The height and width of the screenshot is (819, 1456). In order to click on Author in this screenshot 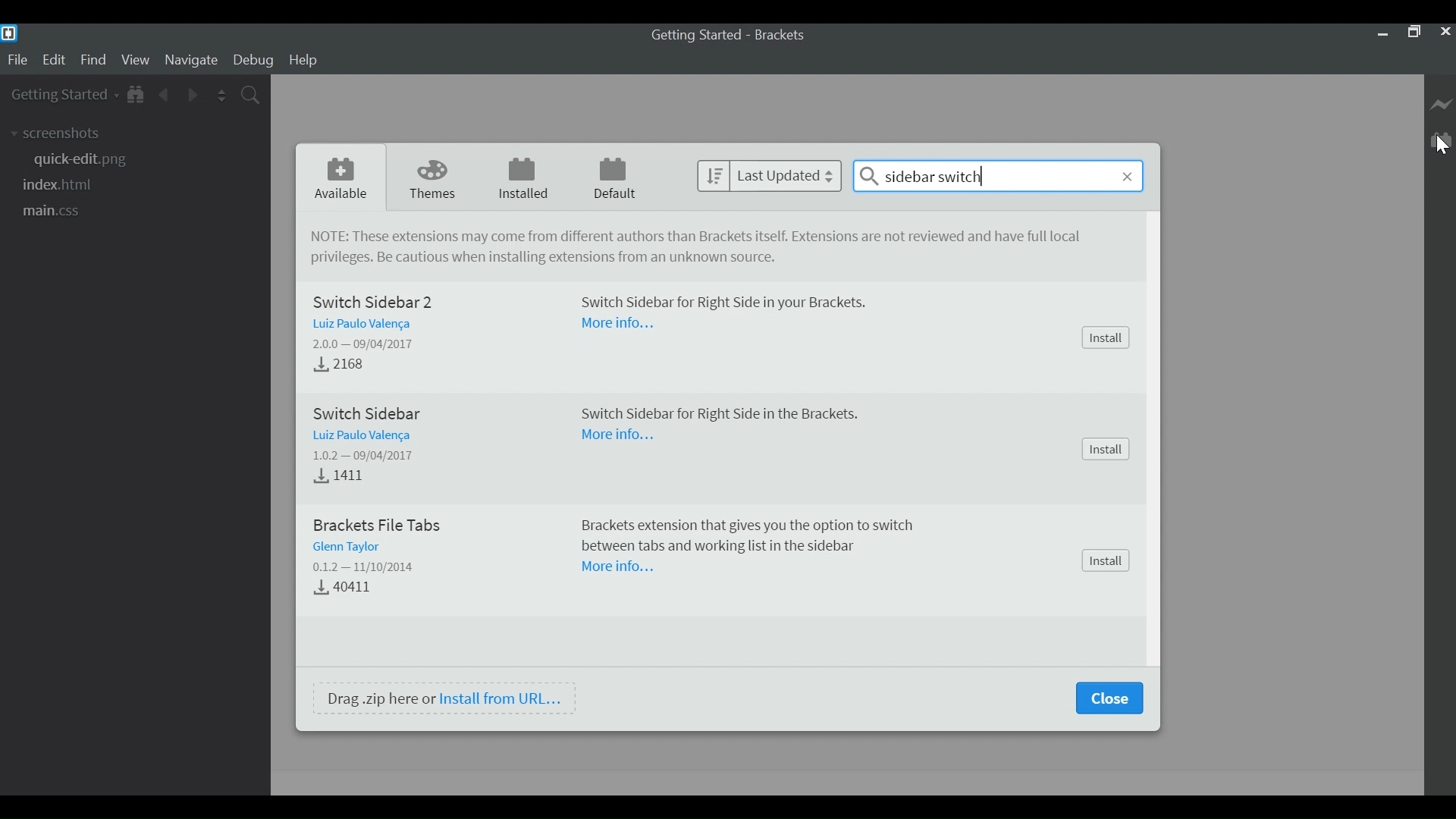, I will do `click(358, 548)`.